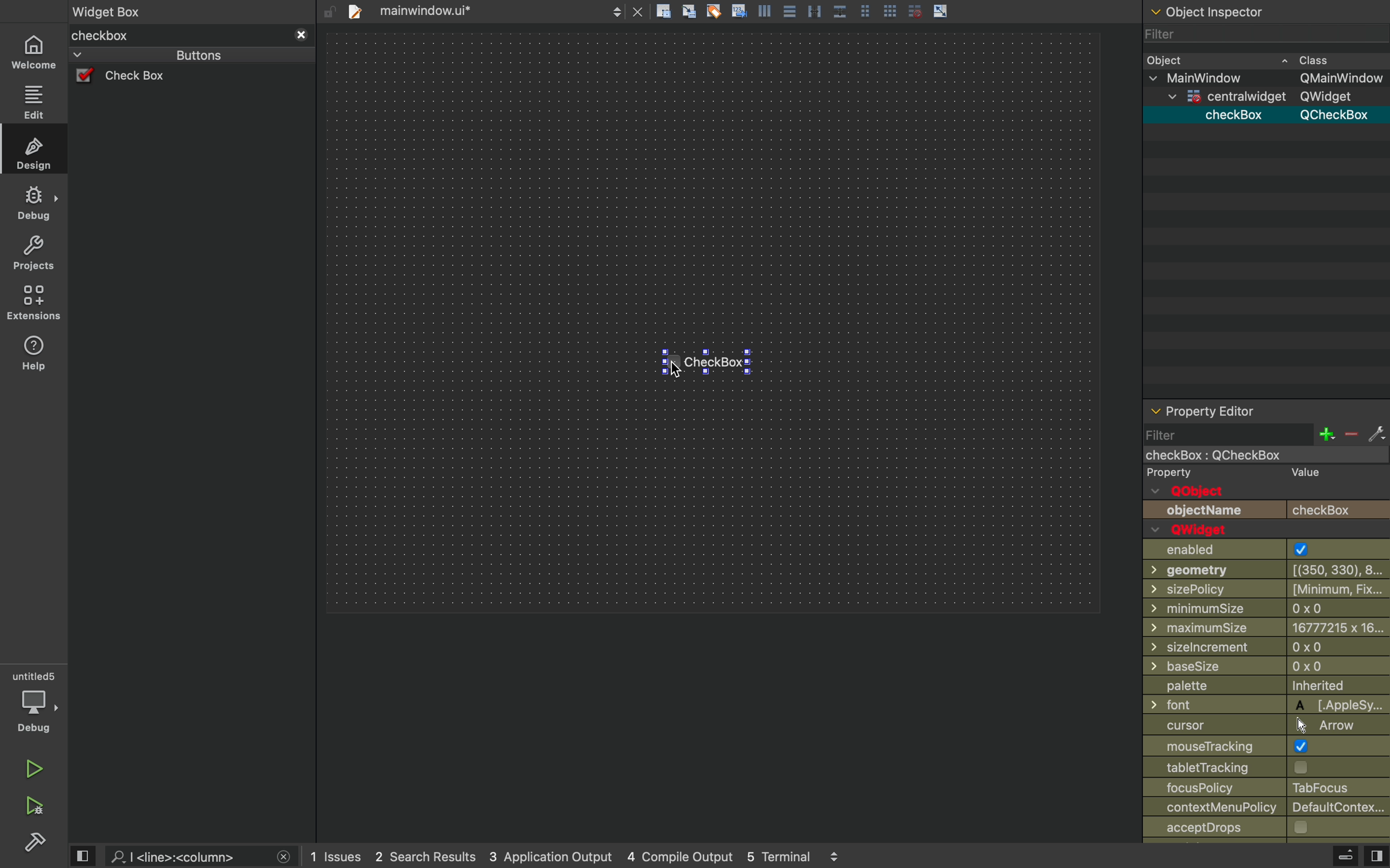 This screenshot has height=868, width=1390. What do you see at coordinates (1268, 668) in the screenshot?
I see `base size` at bounding box center [1268, 668].